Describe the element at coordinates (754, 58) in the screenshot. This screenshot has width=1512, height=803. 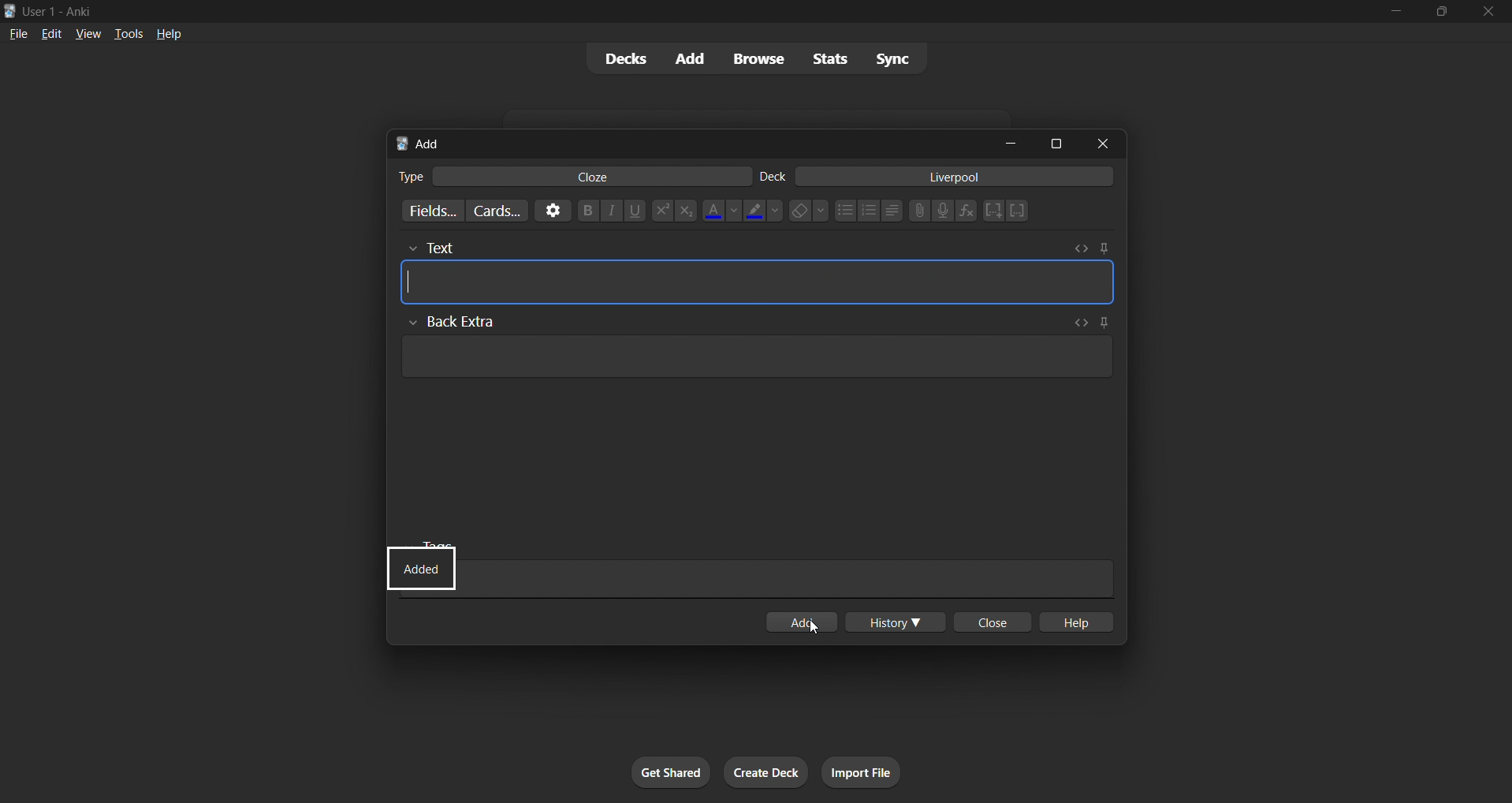
I see `browse` at that location.